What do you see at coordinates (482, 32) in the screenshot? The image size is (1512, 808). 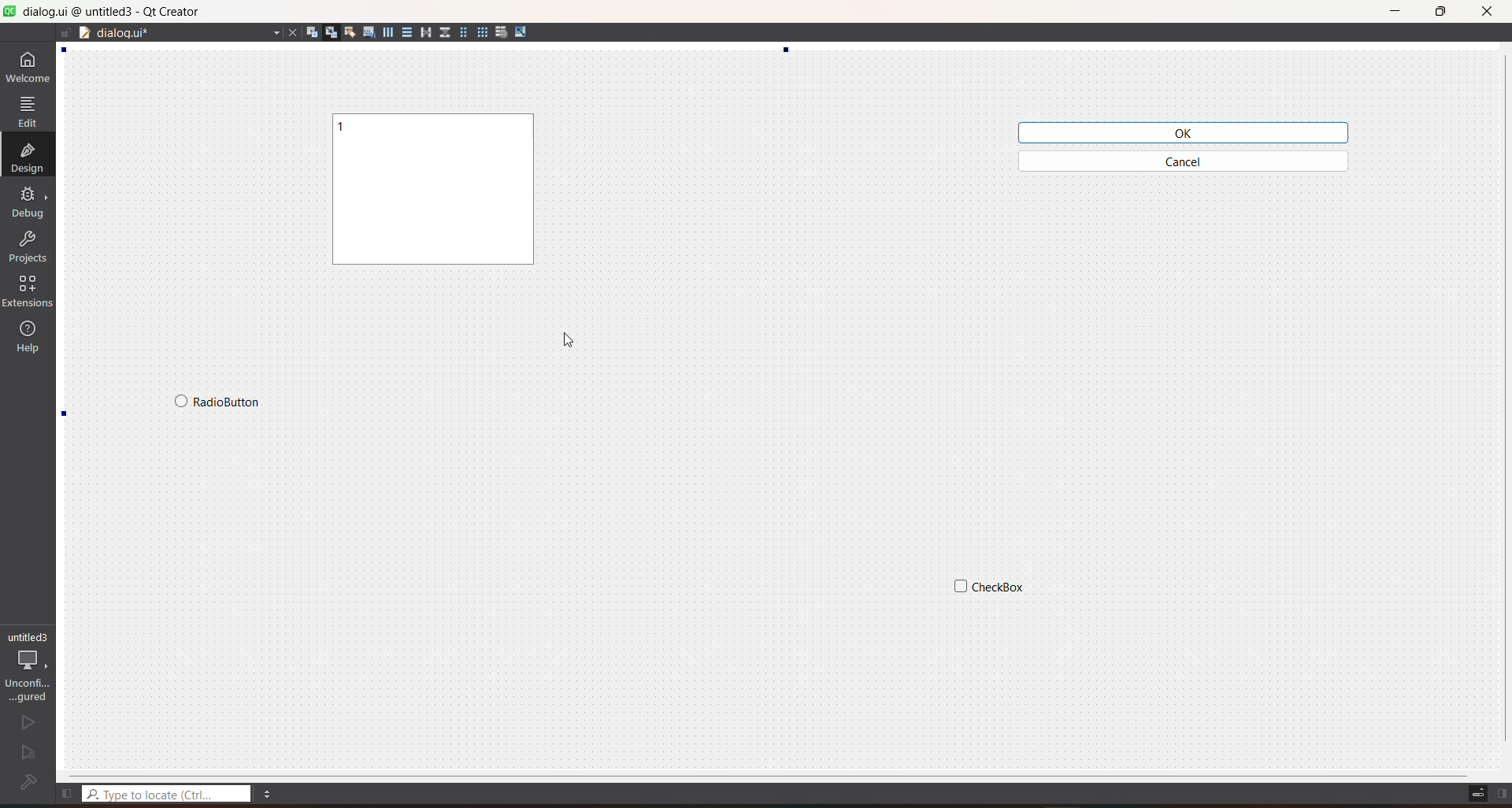 I see `grid layout` at bounding box center [482, 32].